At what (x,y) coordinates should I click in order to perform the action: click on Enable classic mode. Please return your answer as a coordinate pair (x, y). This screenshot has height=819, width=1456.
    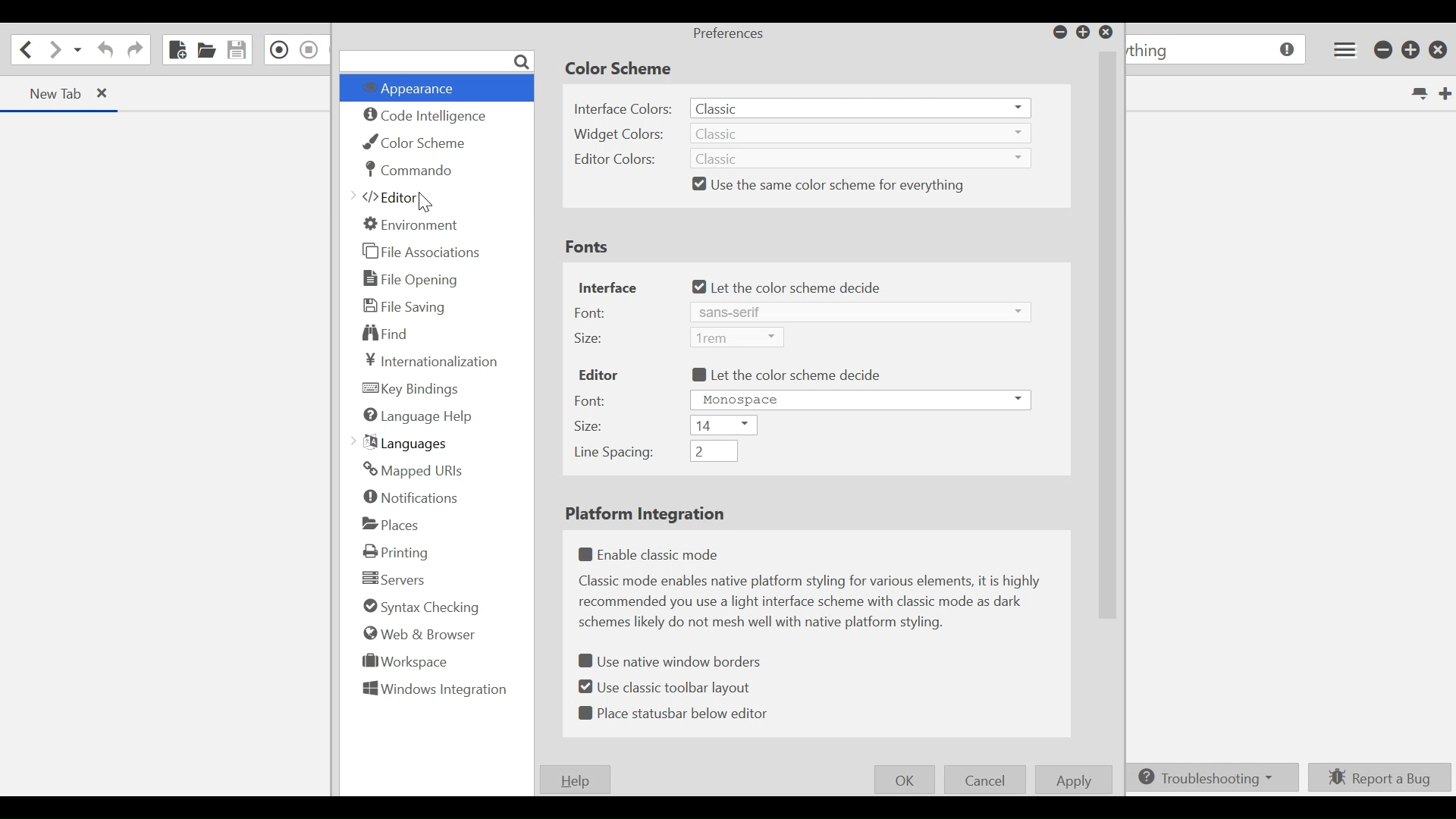
    Looking at the image, I should click on (653, 552).